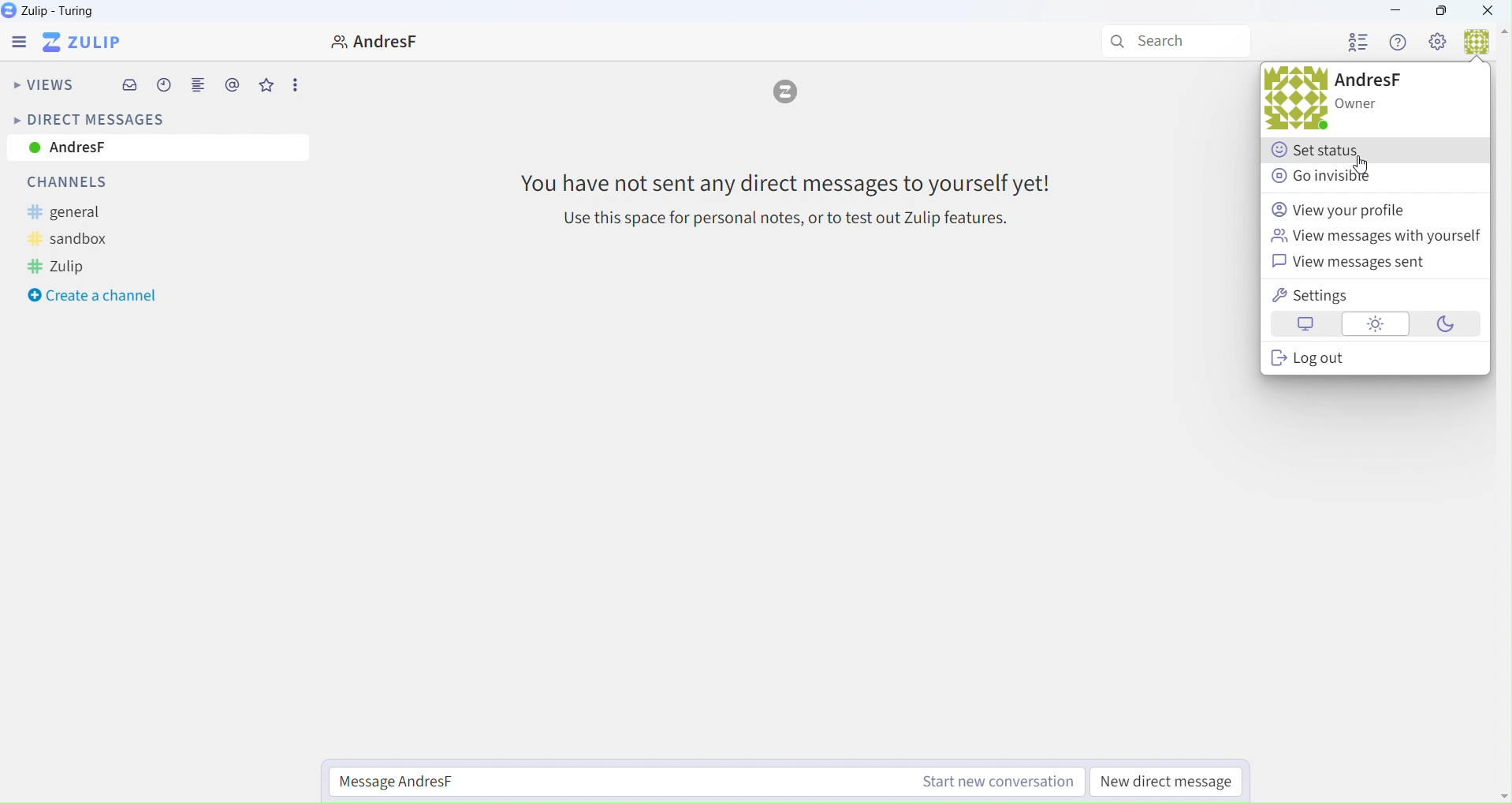 The width and height of the screenshot is (1512, 803). Describe the element at coordinates (1357, 209) in the screenshot. I see `View your profile` at that location.